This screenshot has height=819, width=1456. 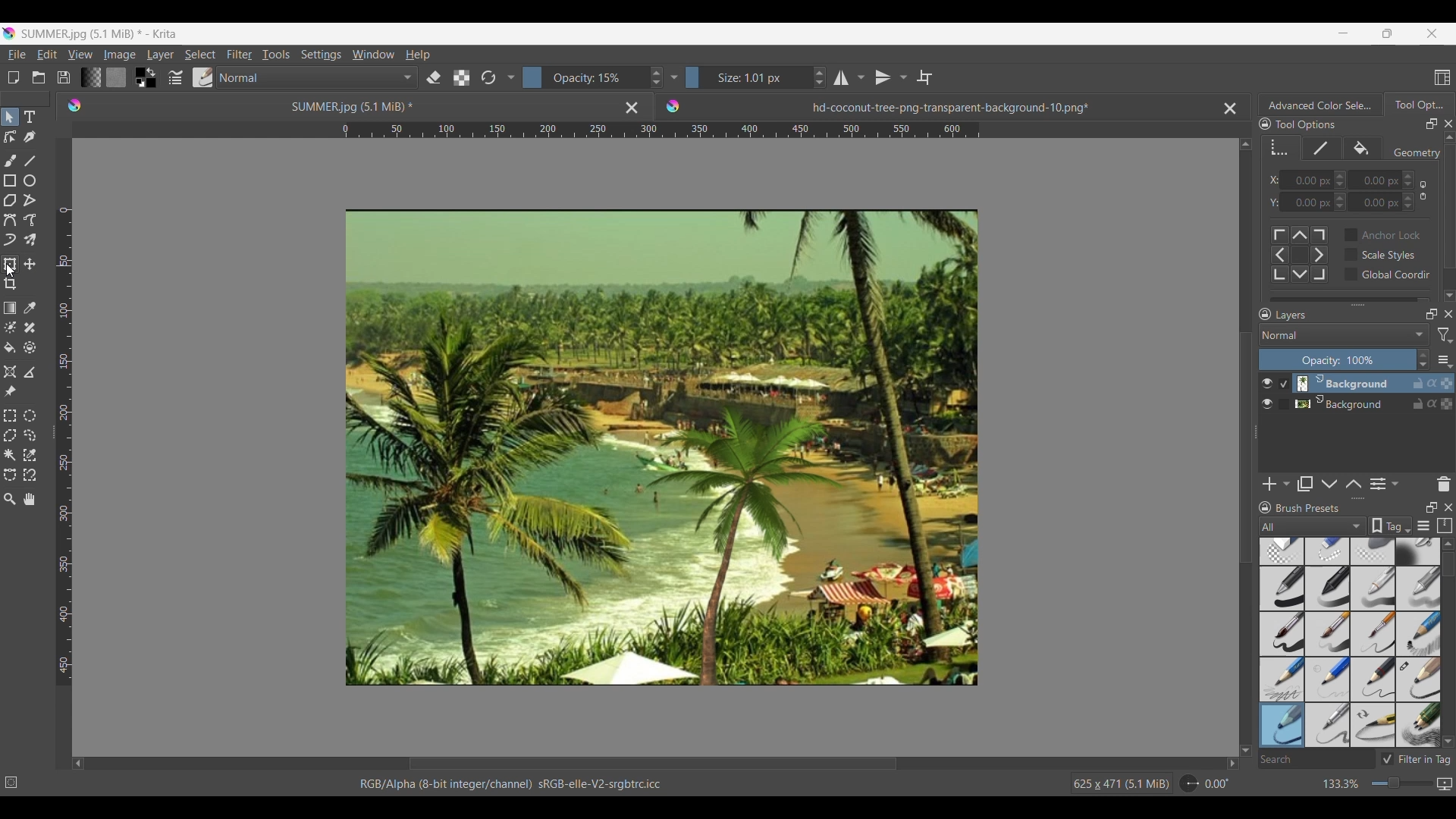 I want to click on hd-coconut-tree-png-transparent-background-10.png*, so click(x=915, y=103).